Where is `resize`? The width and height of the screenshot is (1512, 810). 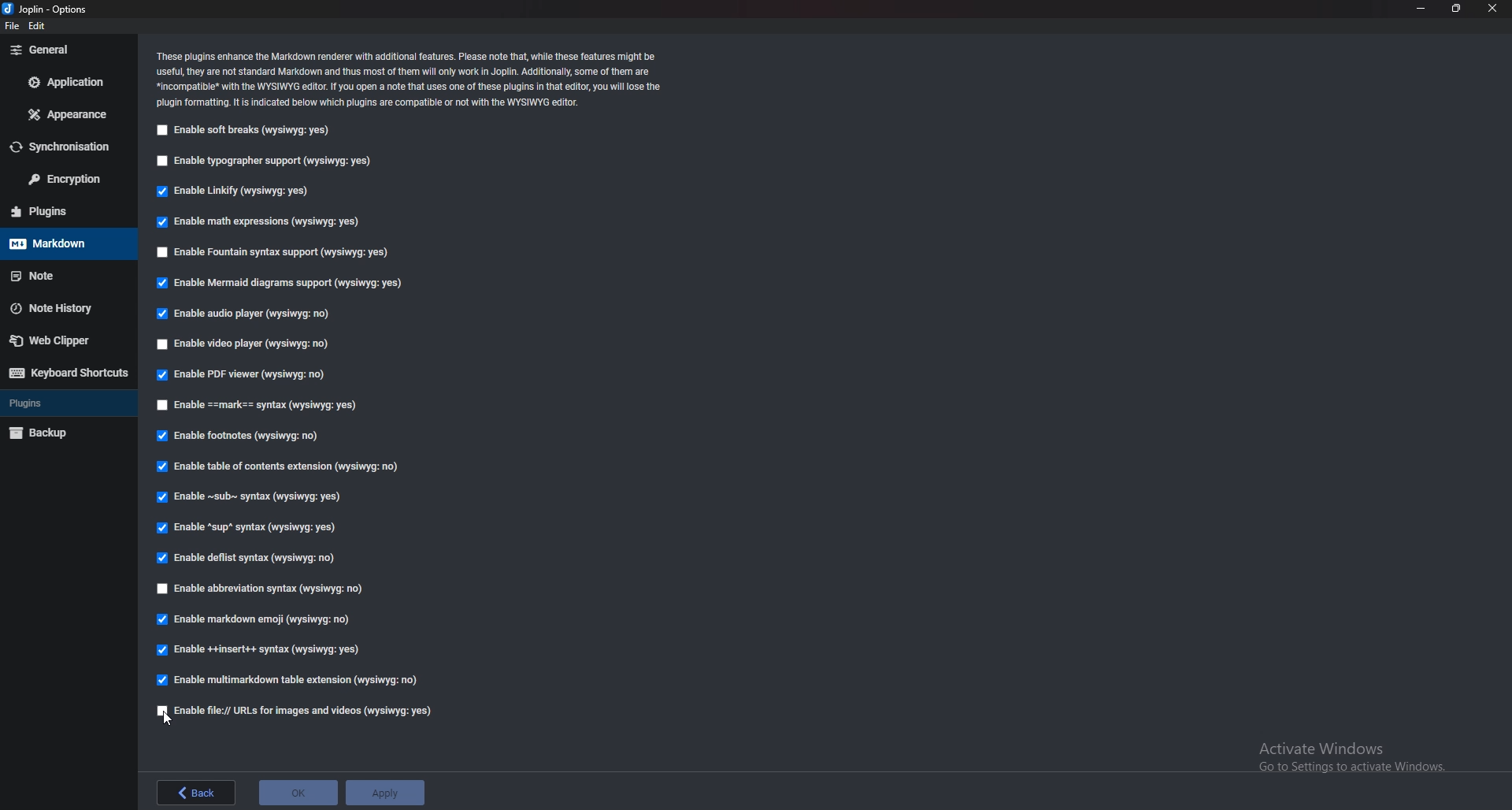
resize is located at coordinates (1457, 9).